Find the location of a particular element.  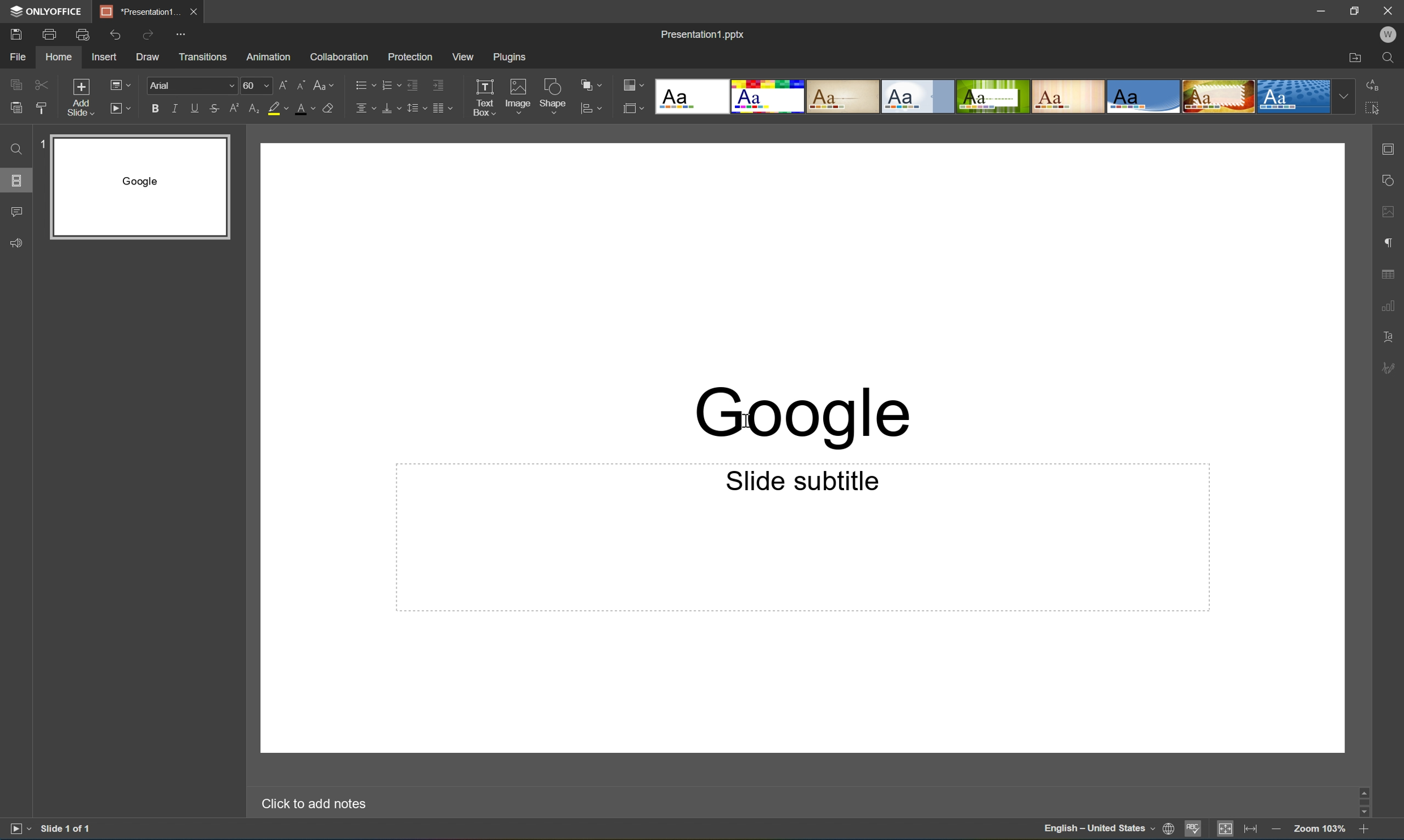

Welcome is located at coordinates (1388, 35).